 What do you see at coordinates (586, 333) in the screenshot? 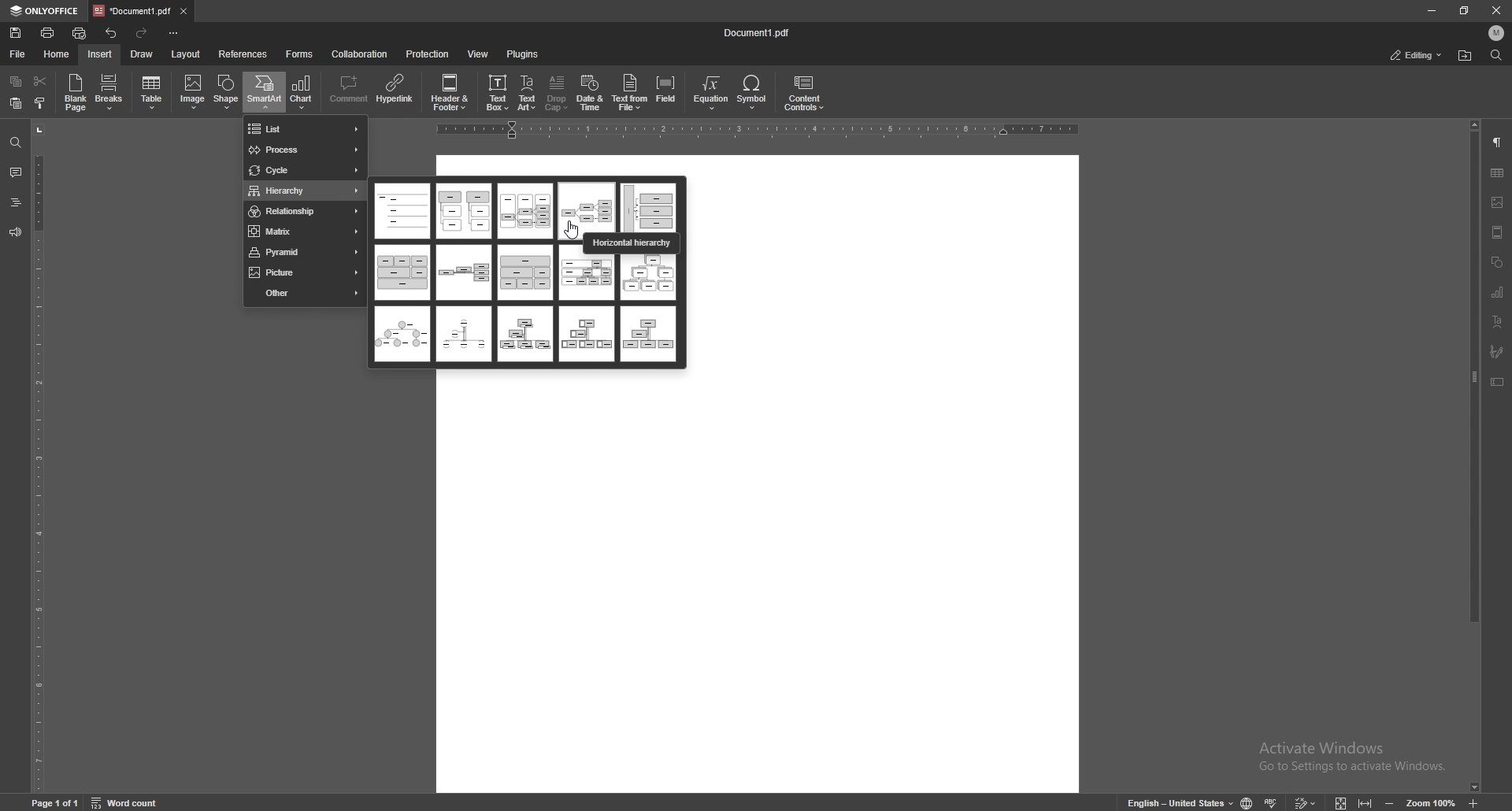
I see `hierarchy smart art` at bounding box center [586, 333].